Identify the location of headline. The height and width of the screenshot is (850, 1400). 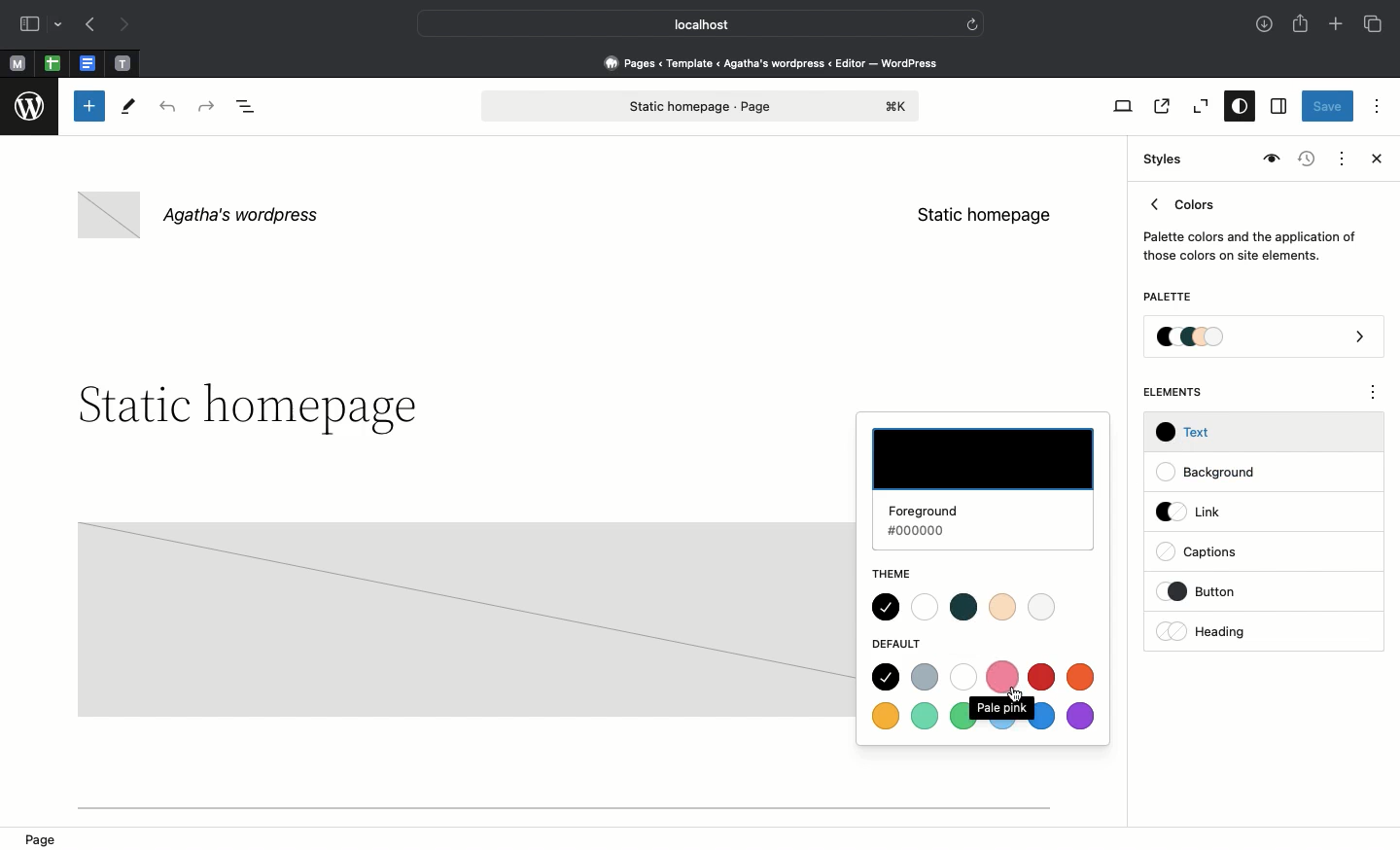
(264, 408).